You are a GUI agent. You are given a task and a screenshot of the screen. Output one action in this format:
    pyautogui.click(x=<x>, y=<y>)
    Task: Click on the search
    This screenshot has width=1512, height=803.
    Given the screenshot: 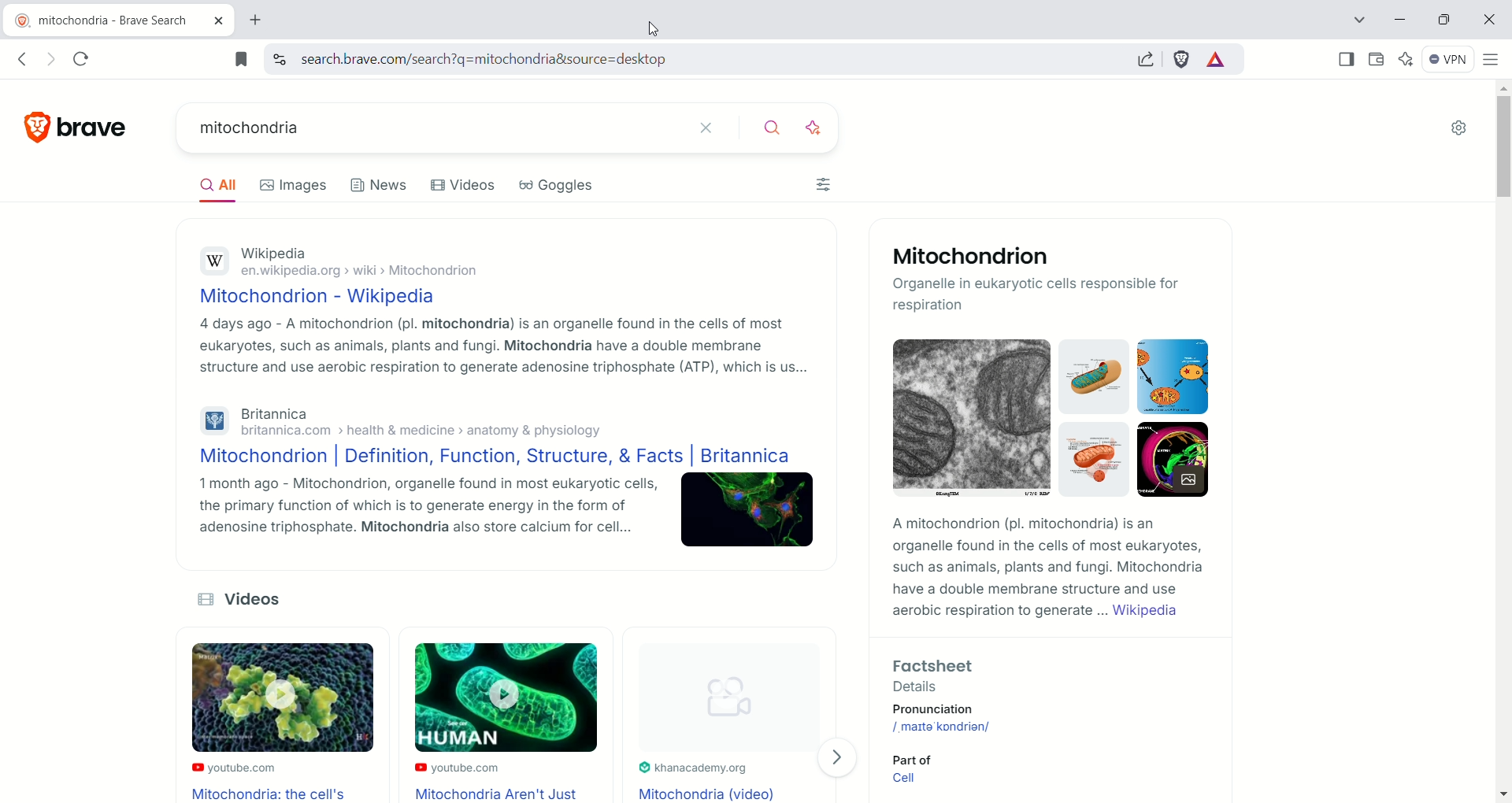 What is the action you would take?
    pyautogui.click(x=764, y=128)
    